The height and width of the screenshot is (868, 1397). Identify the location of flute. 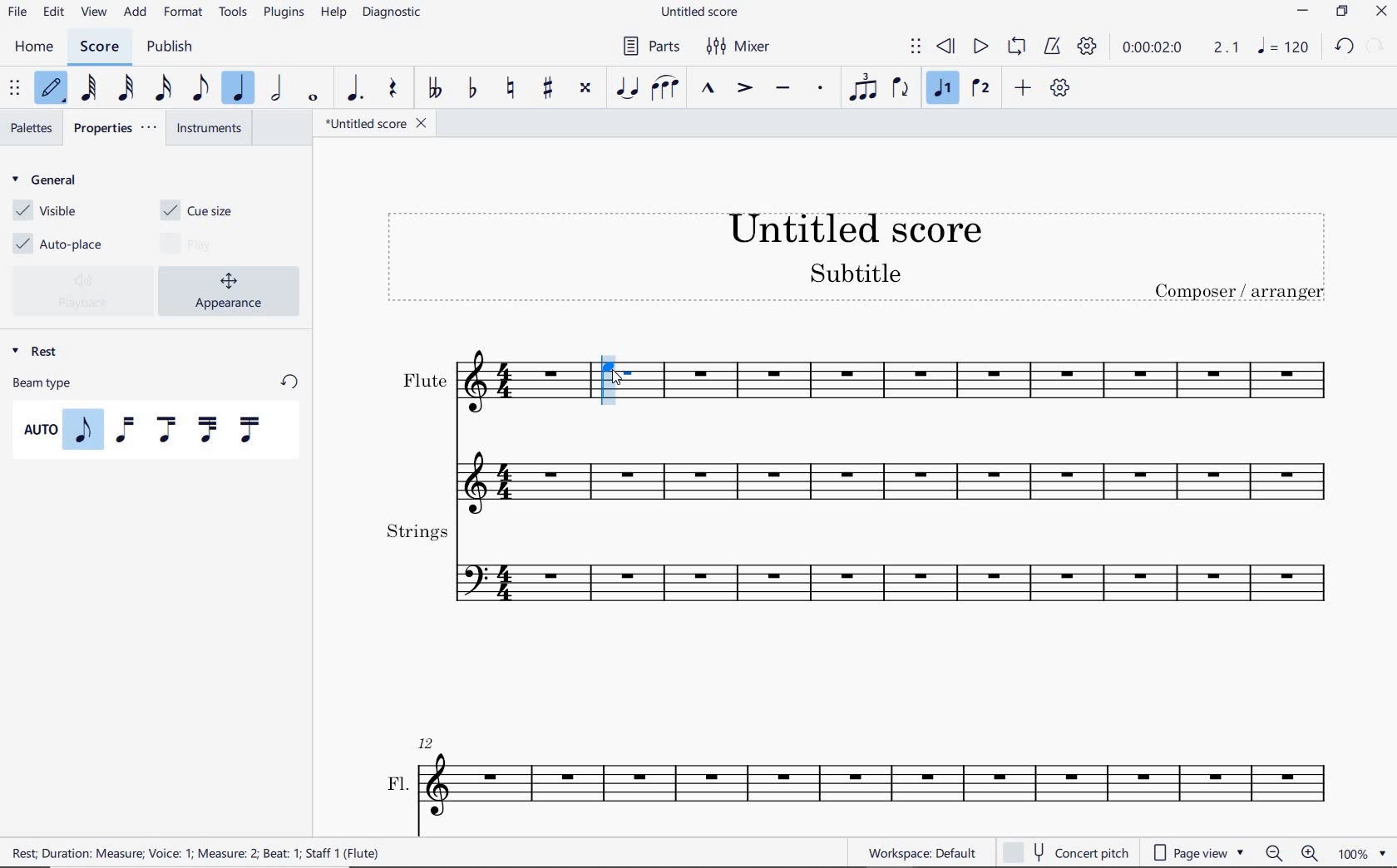
(856, 468).